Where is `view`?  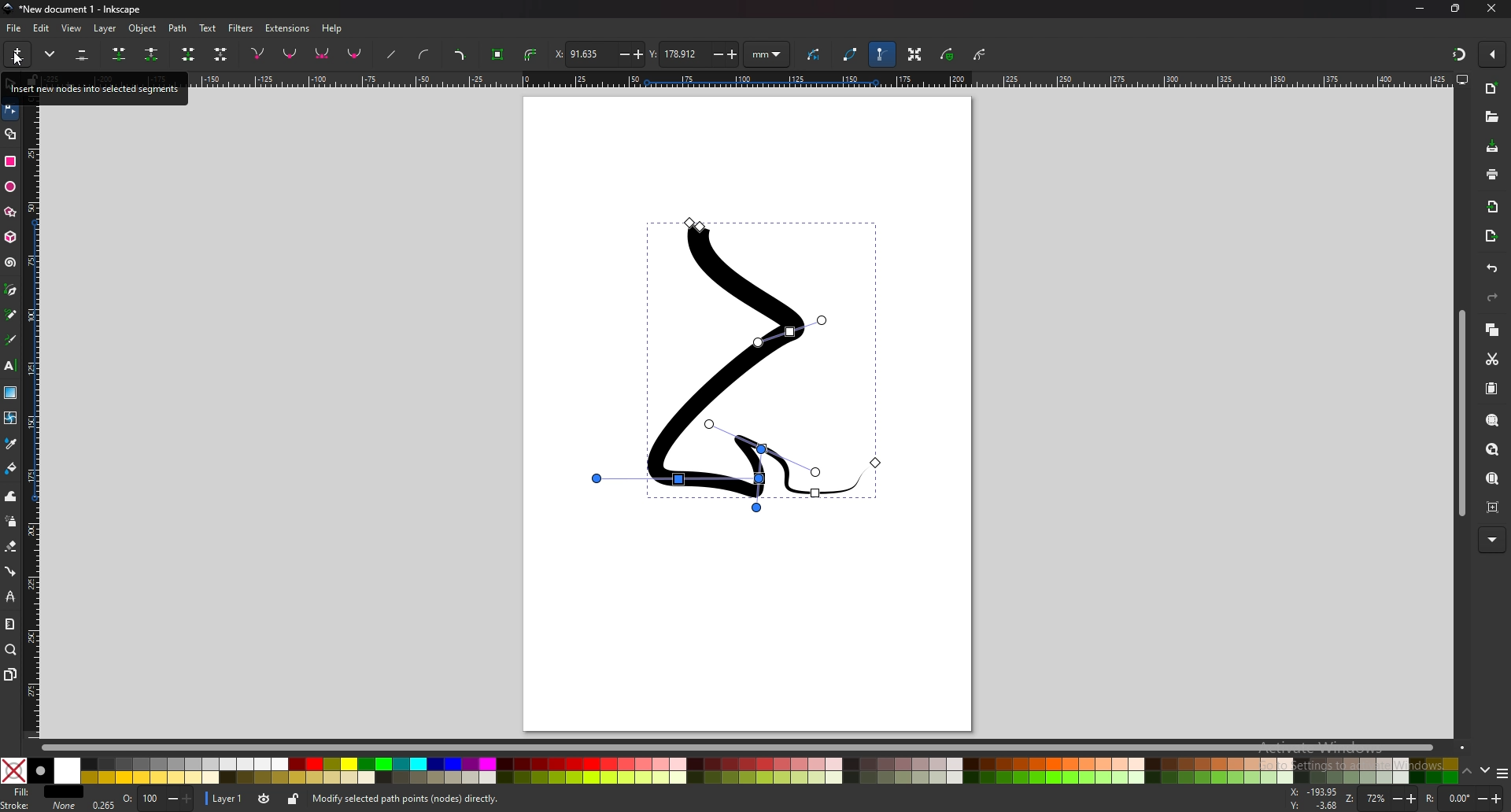
view is located at coordinates (72, 28).